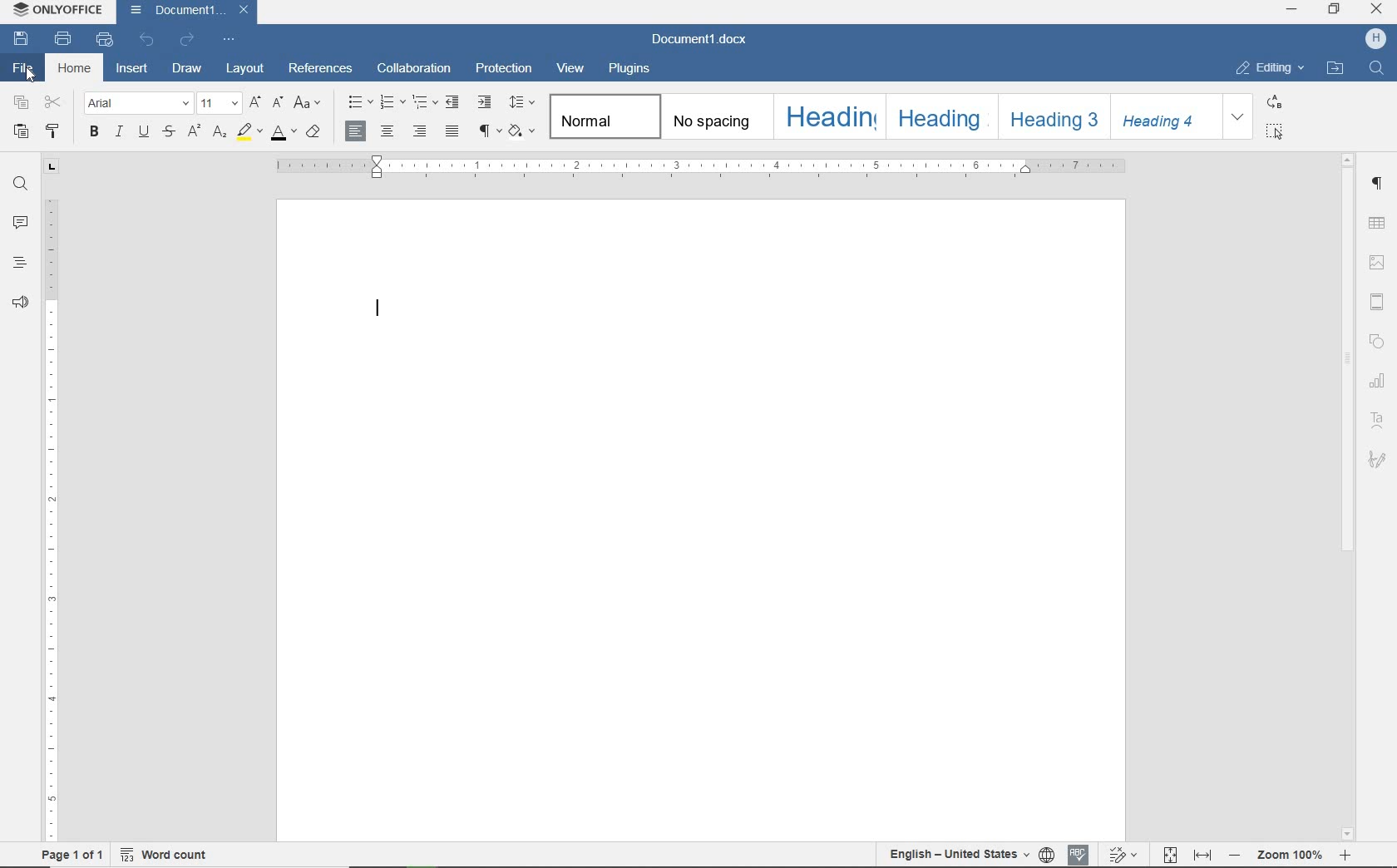  Describe the element at coordinates (187, 69) in the screenshot. I see `draw` at that location.